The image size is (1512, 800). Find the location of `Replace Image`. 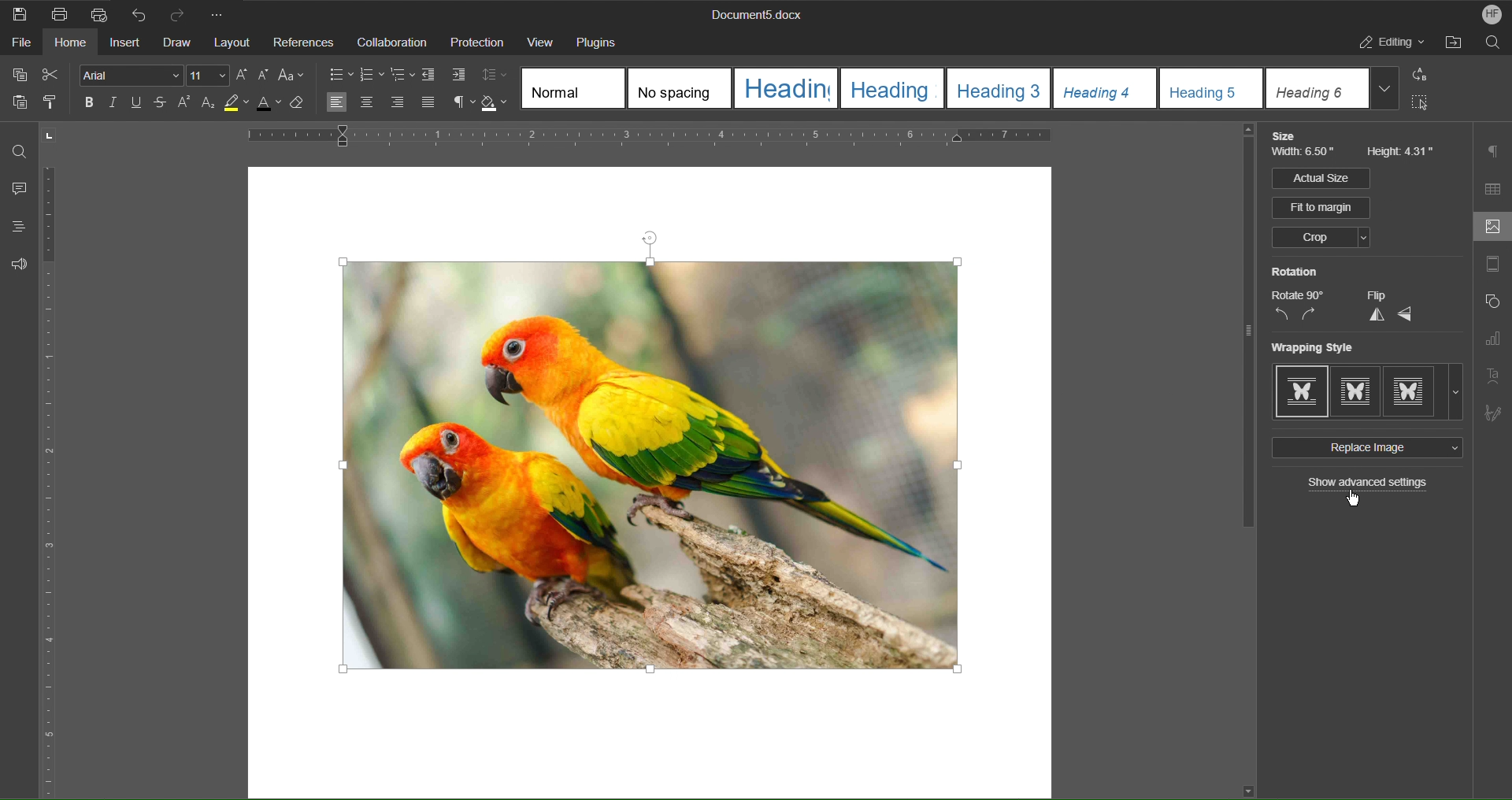

Replace Image is located at coordinates (1365, 448).